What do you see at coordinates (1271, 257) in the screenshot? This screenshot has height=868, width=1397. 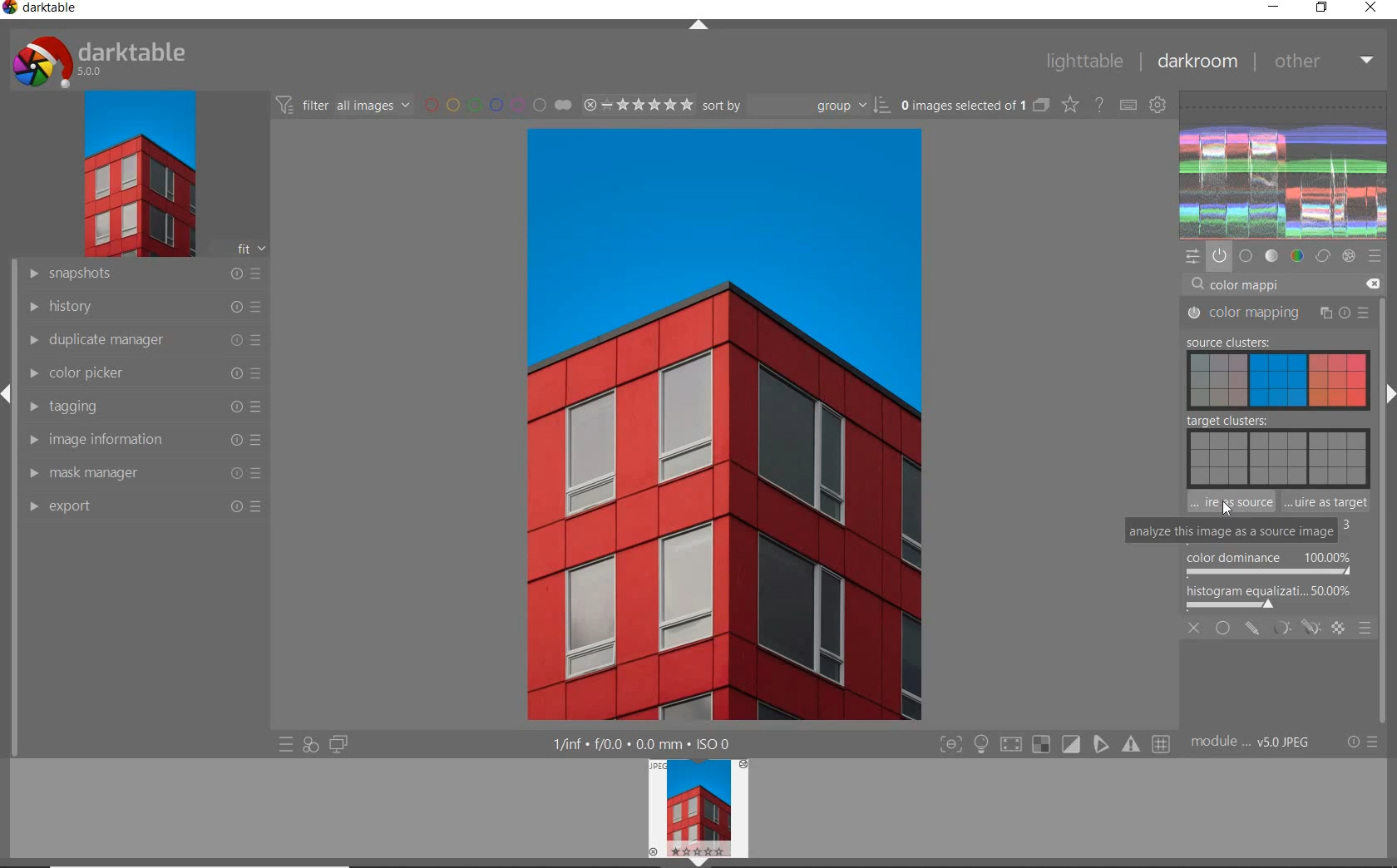 I see `tone` at bounding box center [1271, 257].